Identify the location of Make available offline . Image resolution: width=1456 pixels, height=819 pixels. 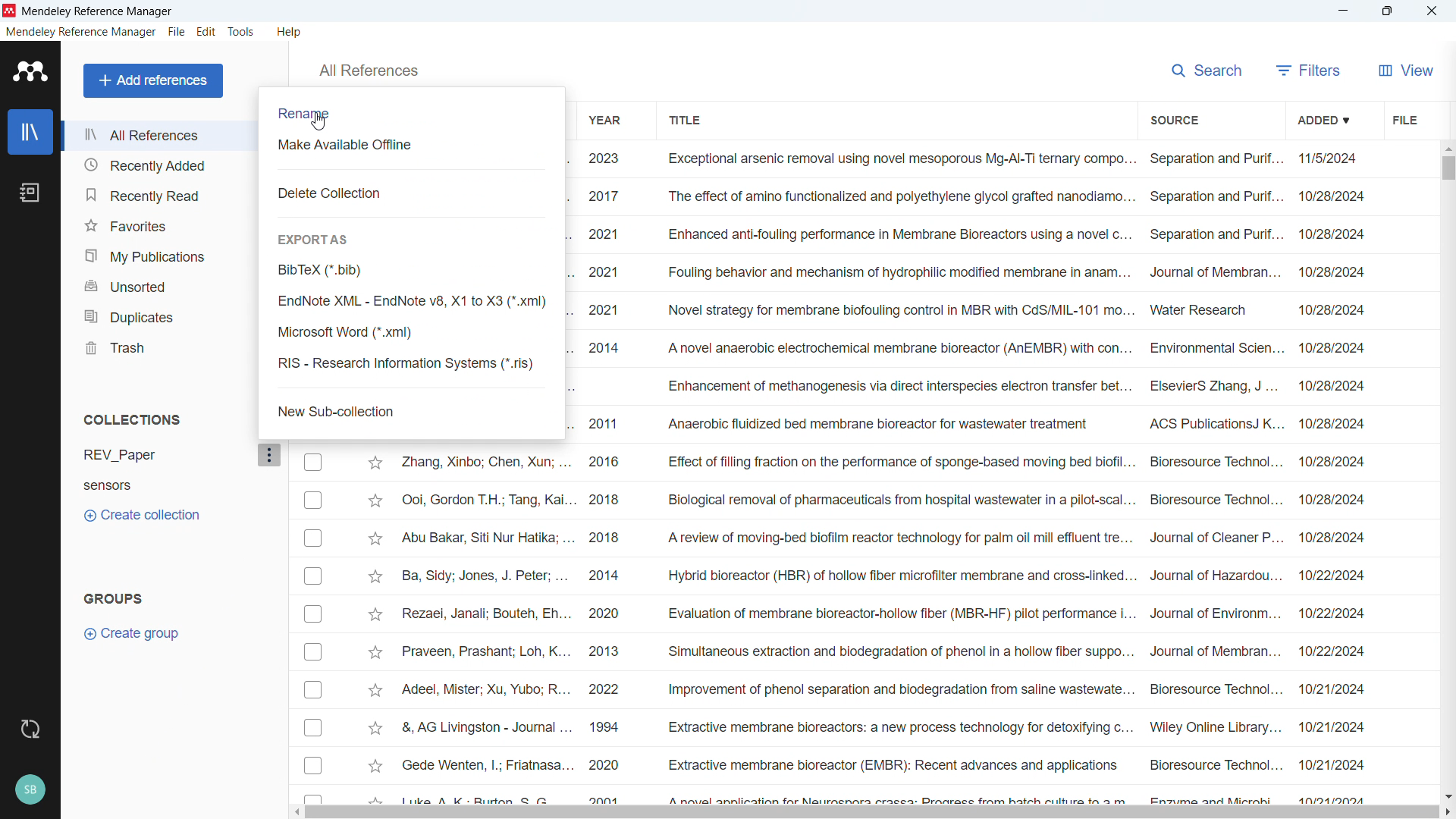
(356, 144).